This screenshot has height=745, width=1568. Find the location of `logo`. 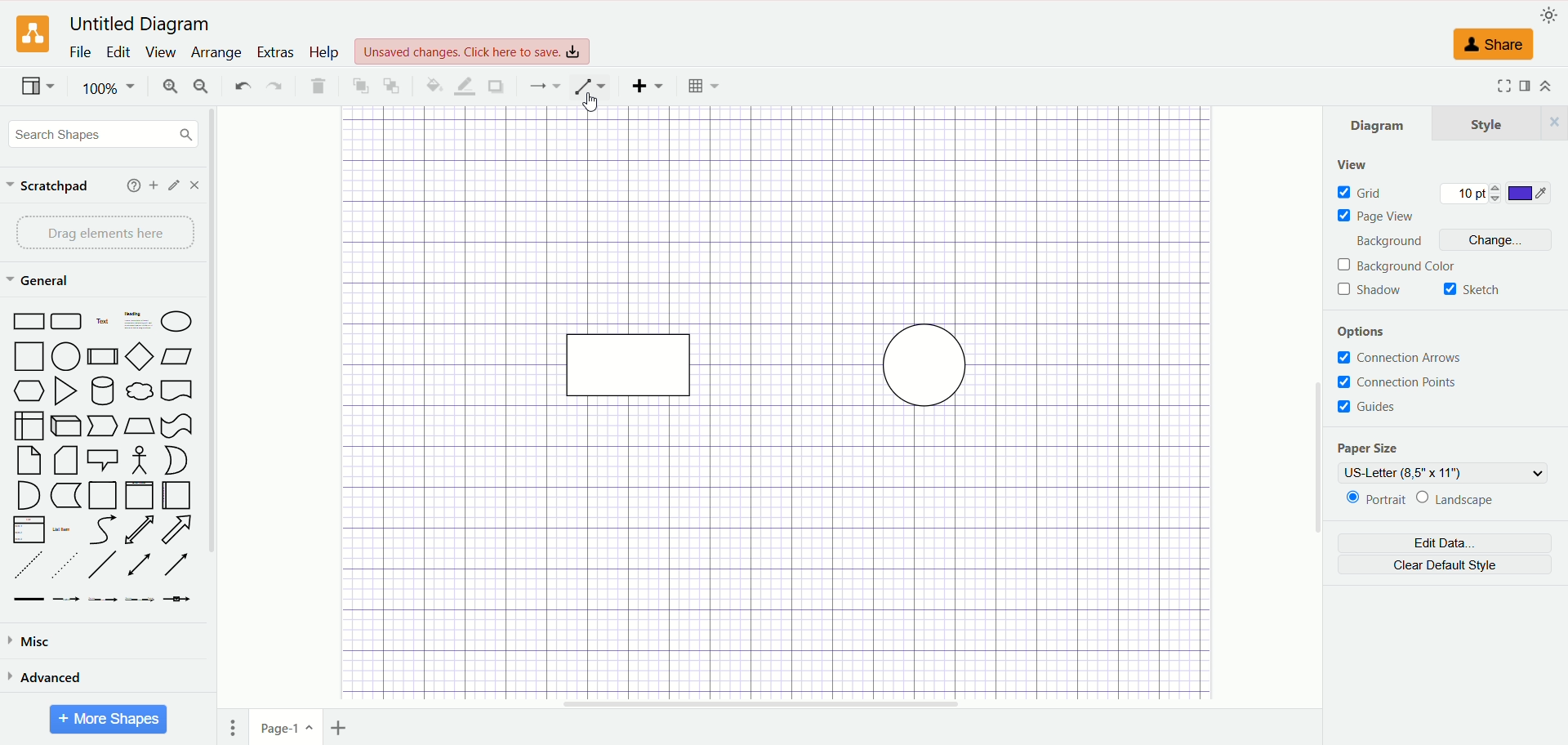

logo is located at coordinates (31, 34).